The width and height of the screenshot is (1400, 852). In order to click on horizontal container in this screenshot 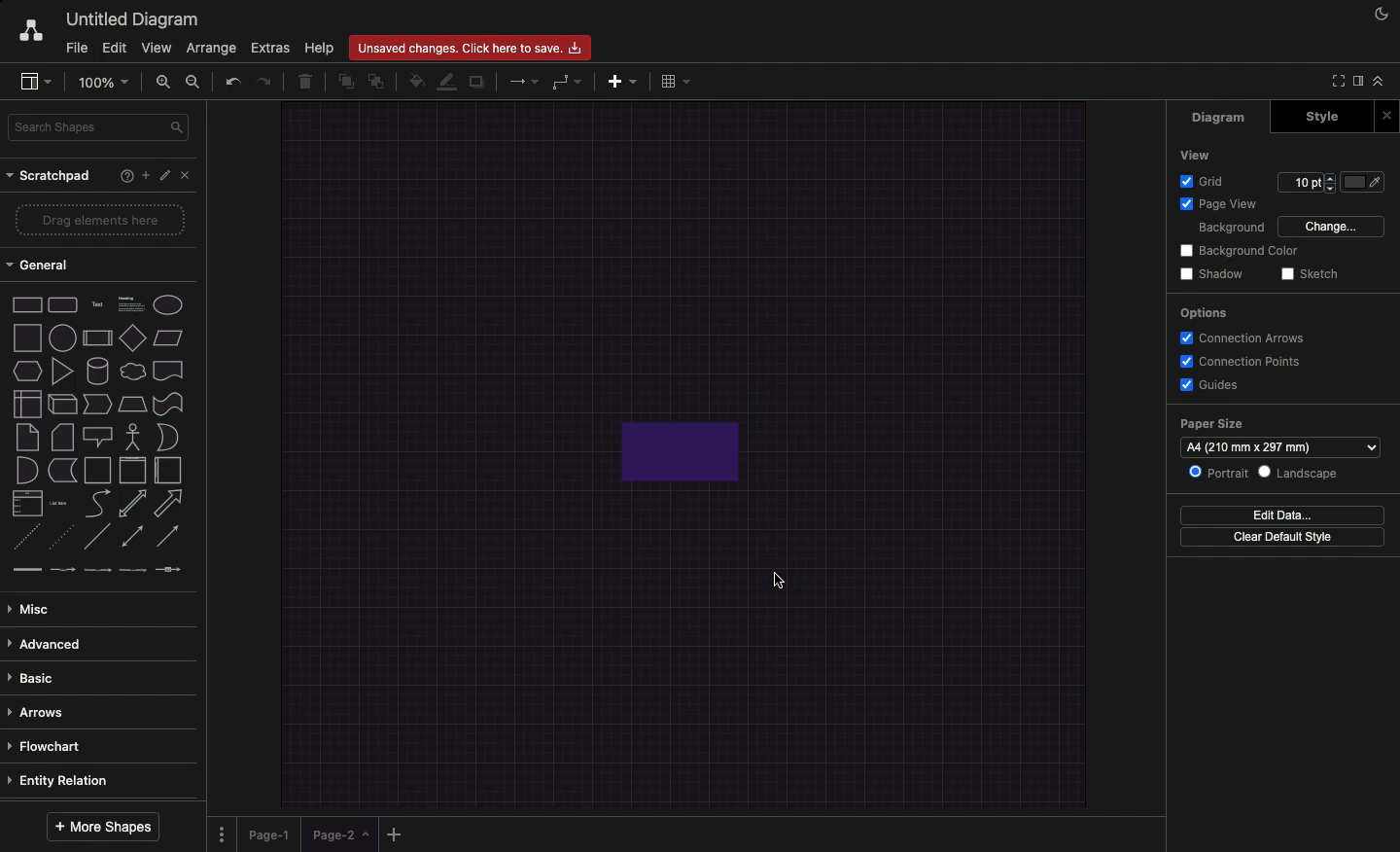, I will do `click(166, 471)`.